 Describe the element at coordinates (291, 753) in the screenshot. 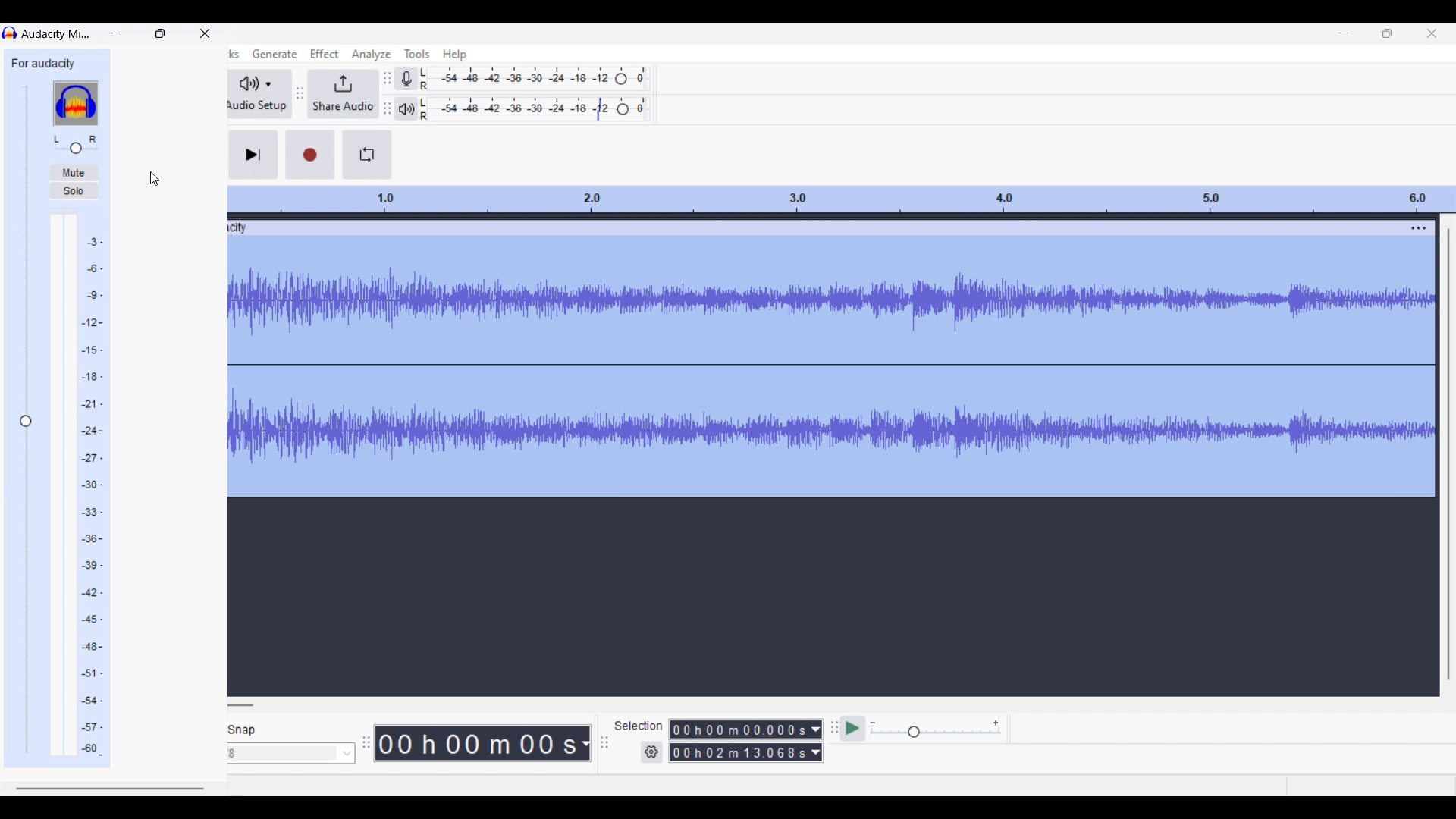

I see `Snap options` at that location.